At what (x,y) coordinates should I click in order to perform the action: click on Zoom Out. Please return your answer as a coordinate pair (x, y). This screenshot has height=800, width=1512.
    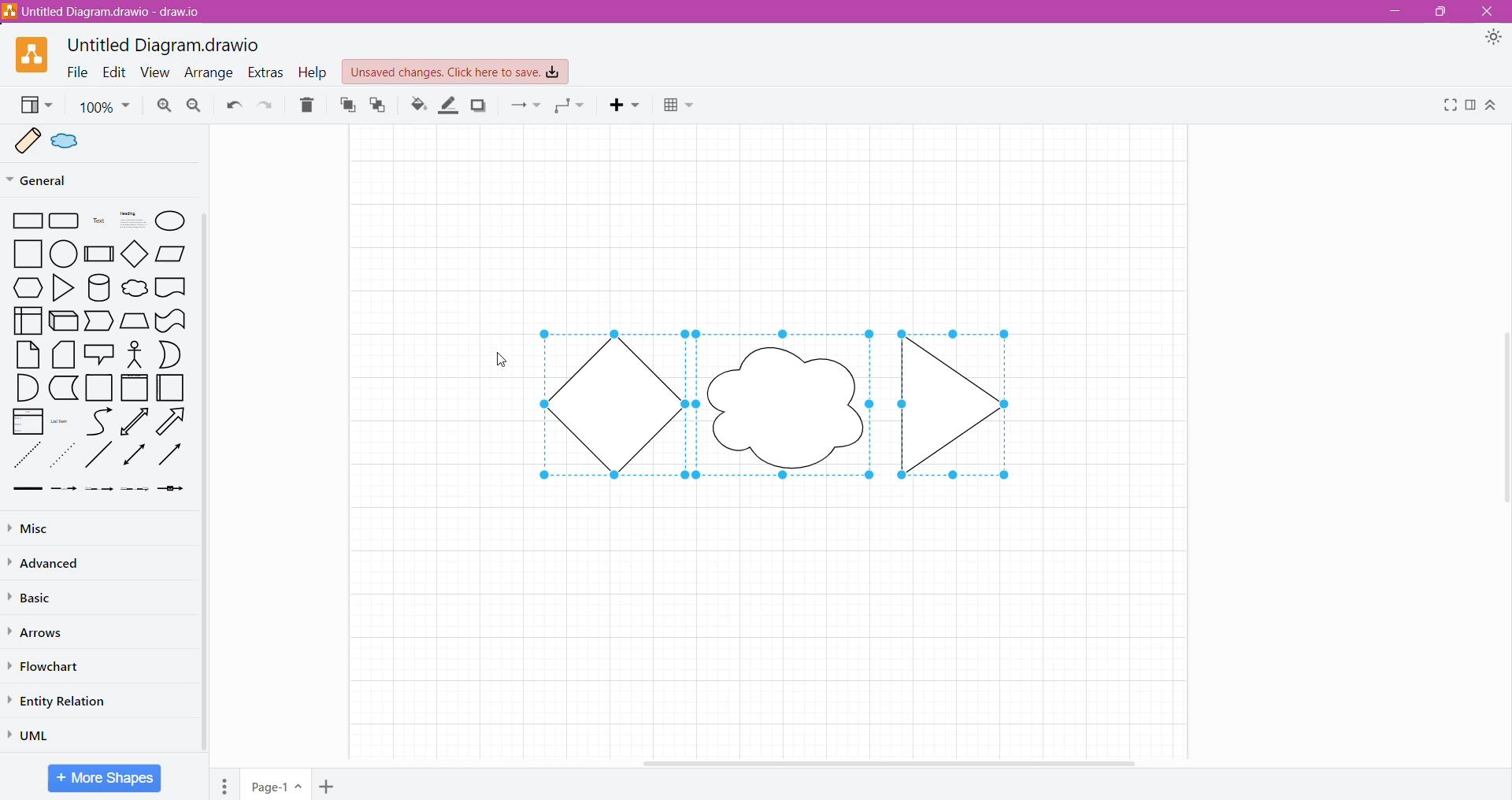
    Looking at the image, I should click on (196, 106).